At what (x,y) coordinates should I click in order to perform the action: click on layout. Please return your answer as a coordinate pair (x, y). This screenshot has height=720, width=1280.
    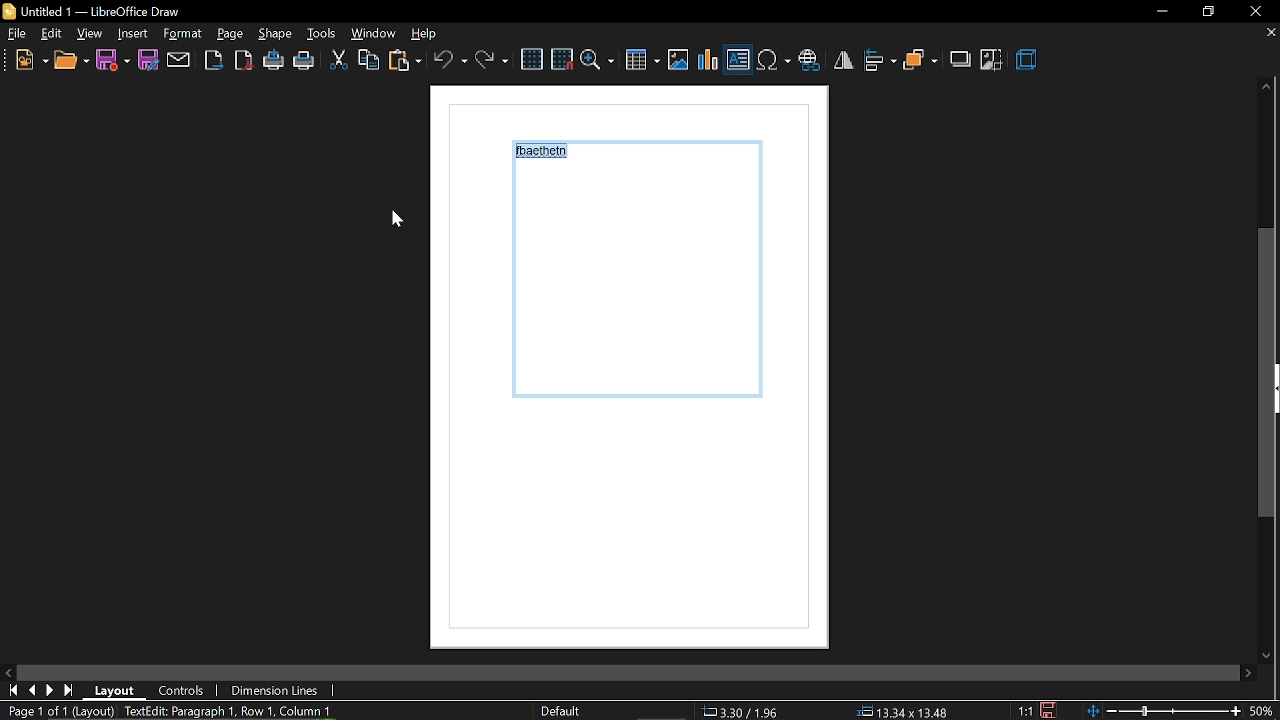
    Looking at the image, I should click on (115, 691).